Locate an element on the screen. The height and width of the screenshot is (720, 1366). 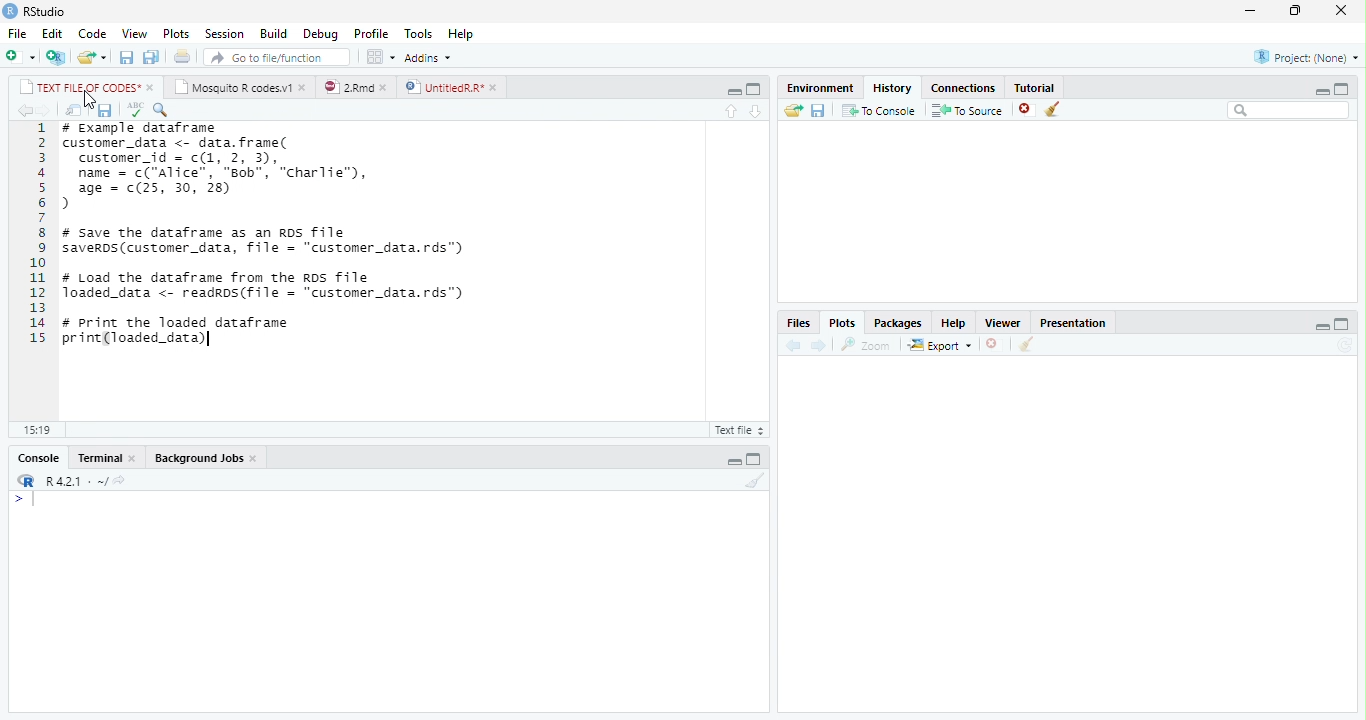
line numbering is located at coordinates (38, 232).